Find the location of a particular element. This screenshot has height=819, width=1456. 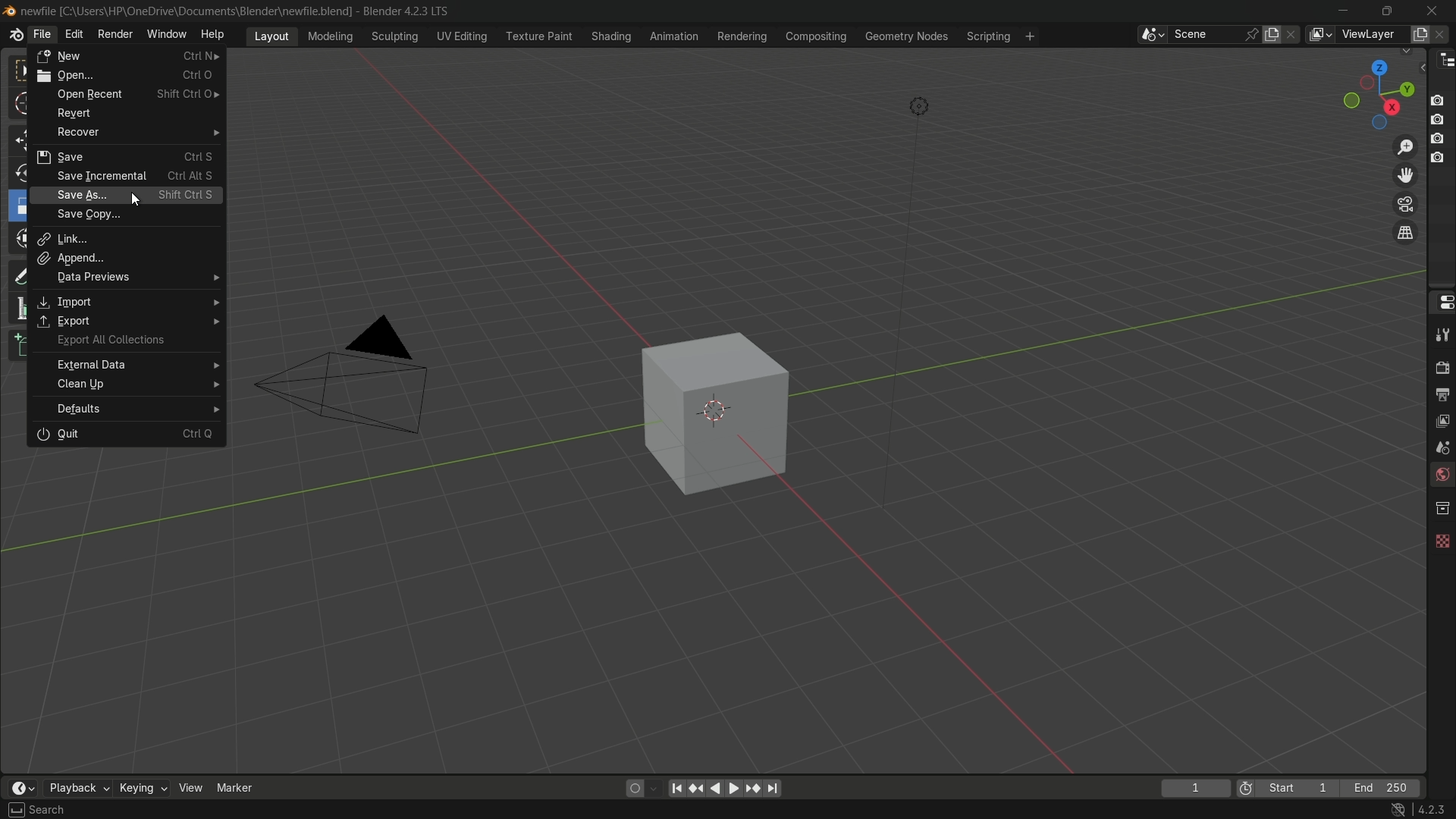

auto keying is located at coordinates (631, 787).